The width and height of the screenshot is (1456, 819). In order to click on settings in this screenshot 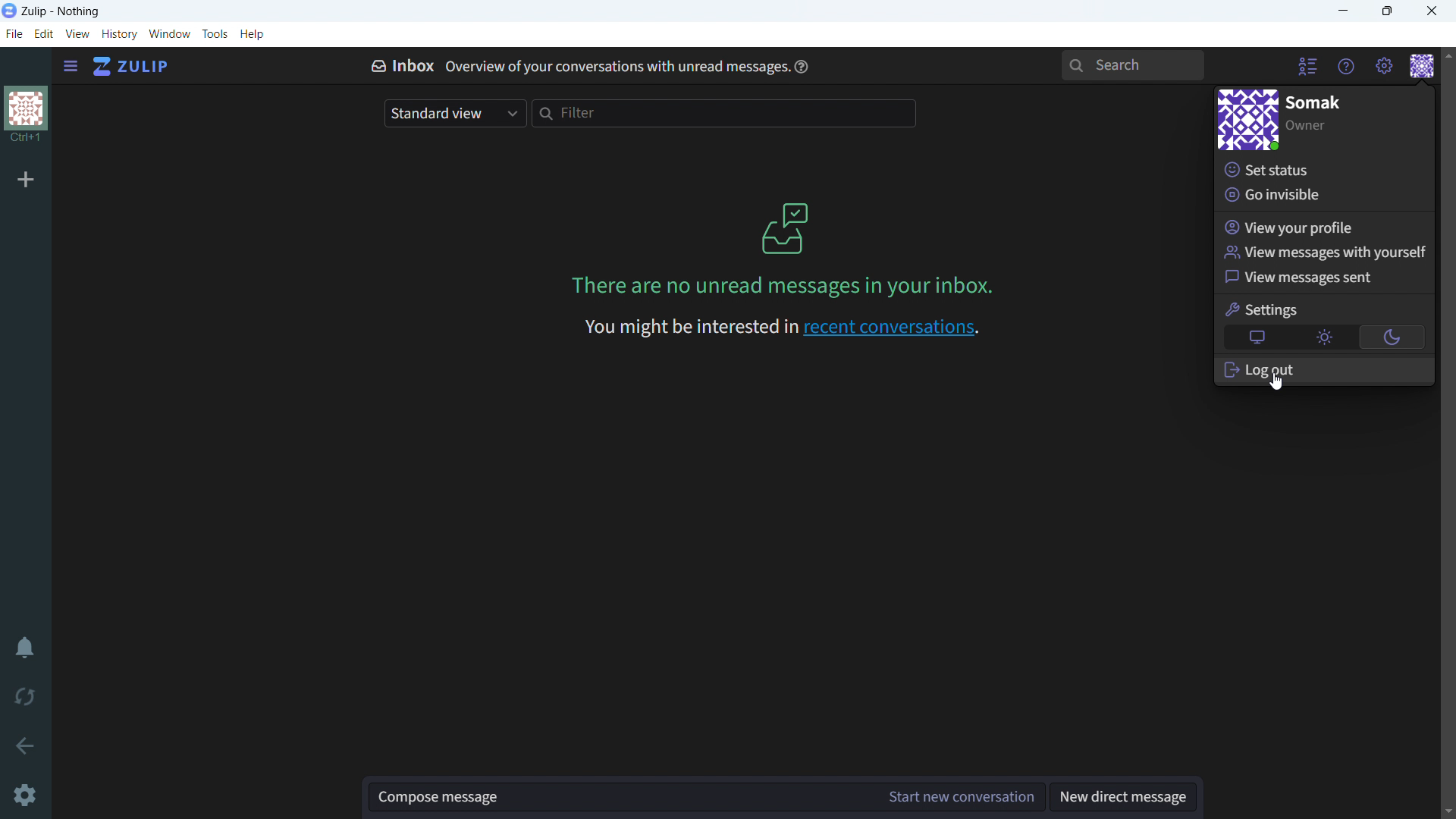, I will do `click(26, 795)`.